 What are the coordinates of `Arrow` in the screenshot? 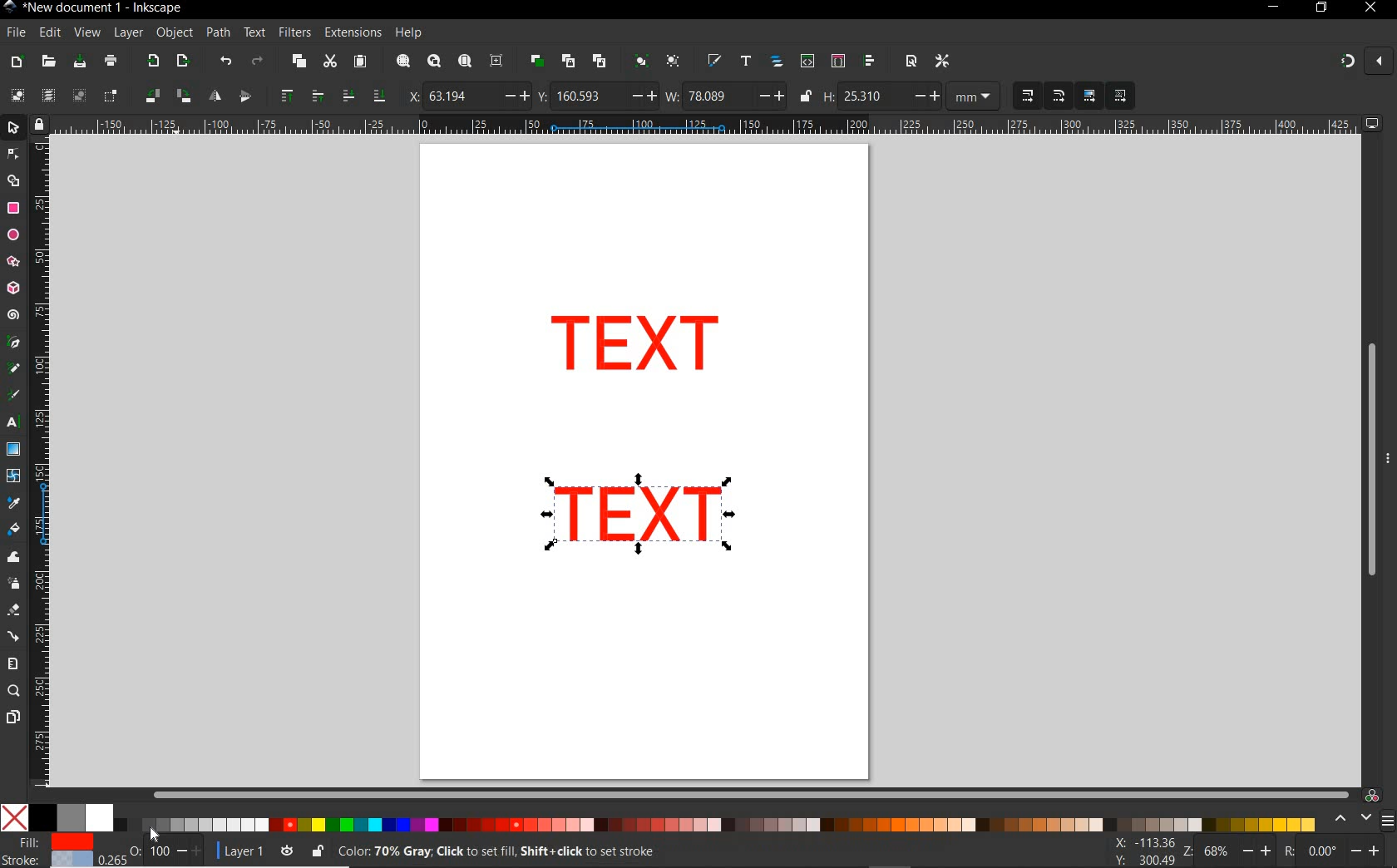 It's located at (15, 167).